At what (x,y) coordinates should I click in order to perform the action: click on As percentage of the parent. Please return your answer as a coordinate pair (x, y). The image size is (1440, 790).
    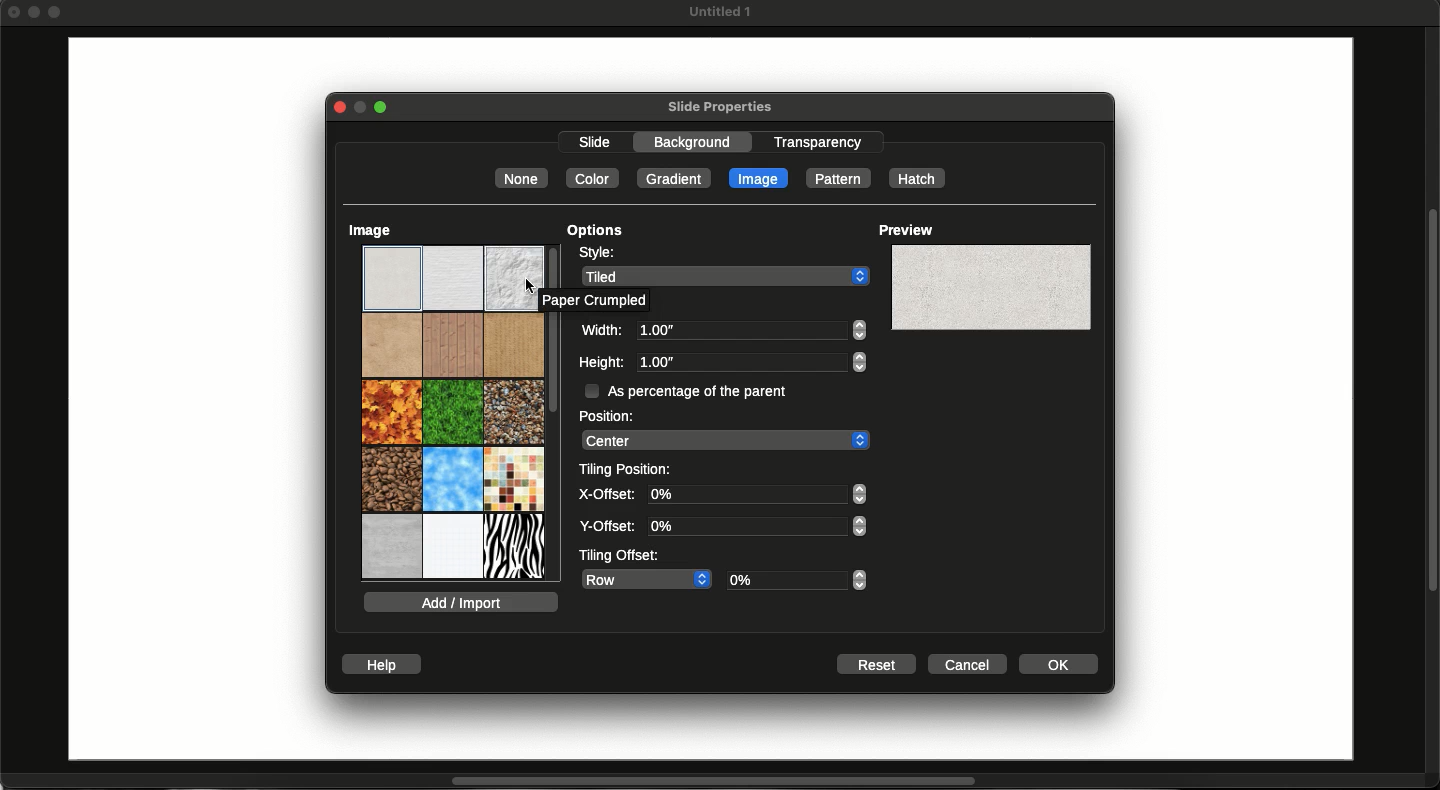
    Looking at the image, I should click on (707, 390).